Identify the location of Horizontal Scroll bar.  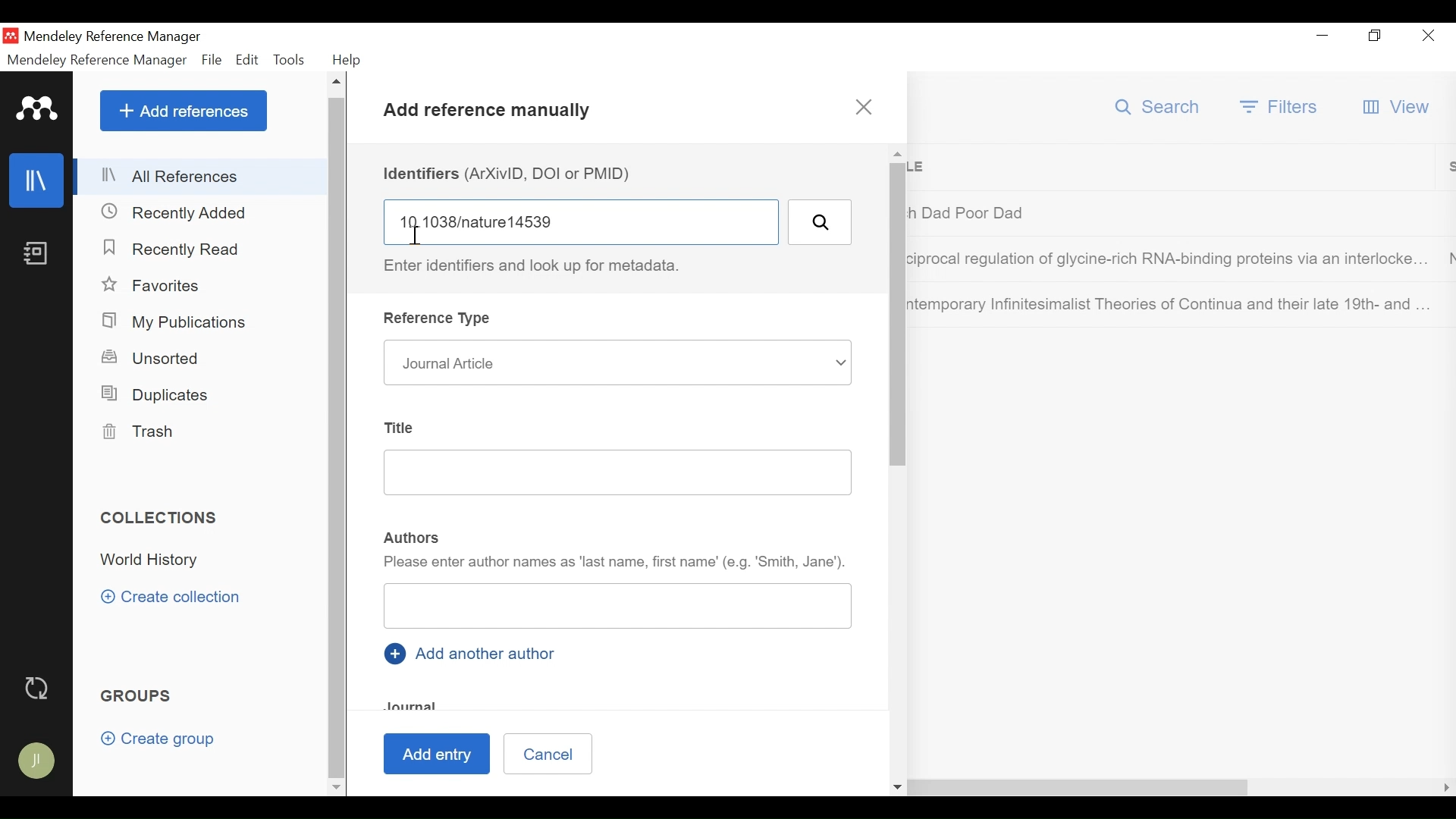
(814, 787).